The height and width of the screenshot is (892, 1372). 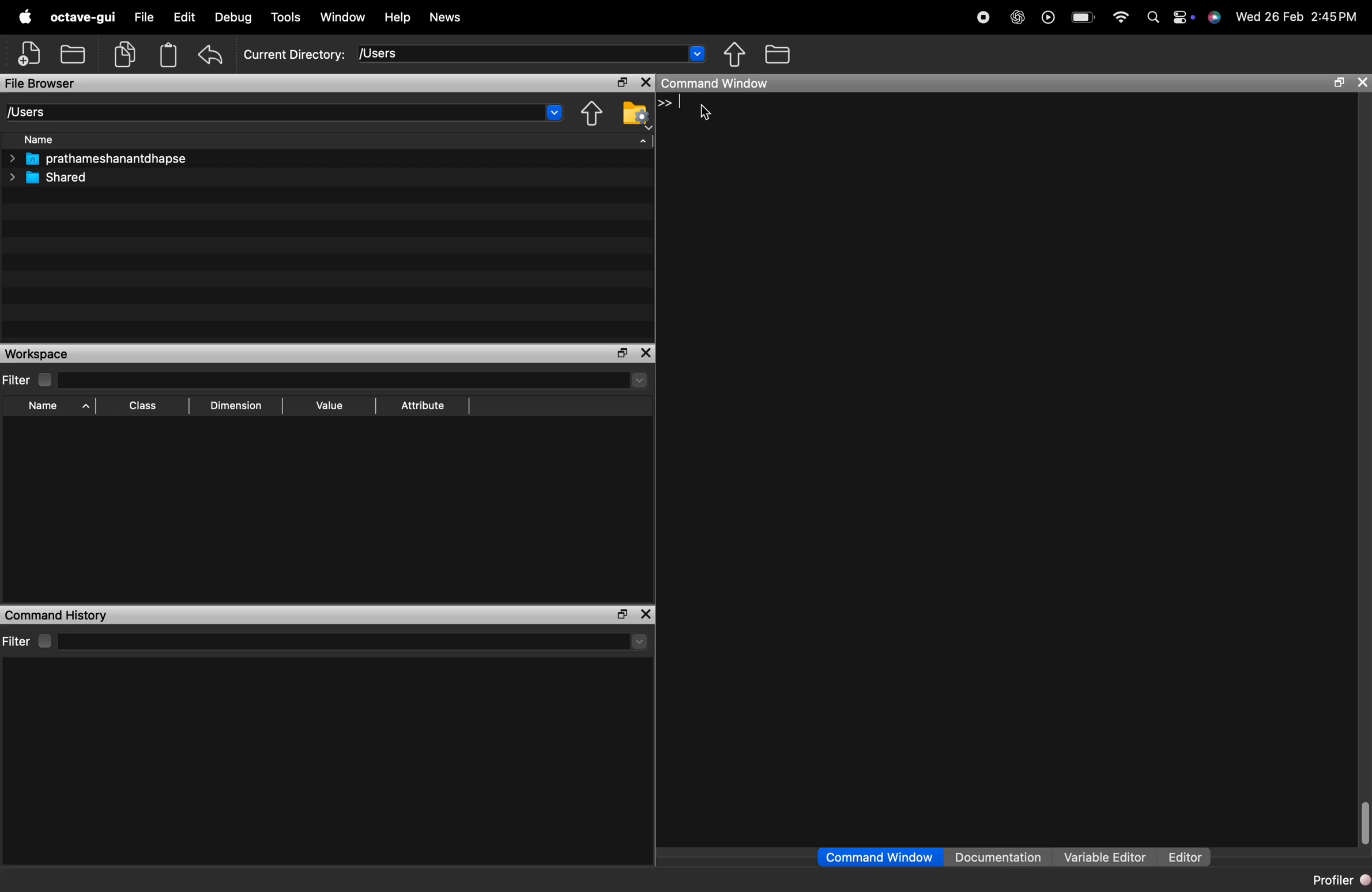 What do you see at coordinates (735, 54) in the screenshot?
I see `move` at bounding box center [735, 54].